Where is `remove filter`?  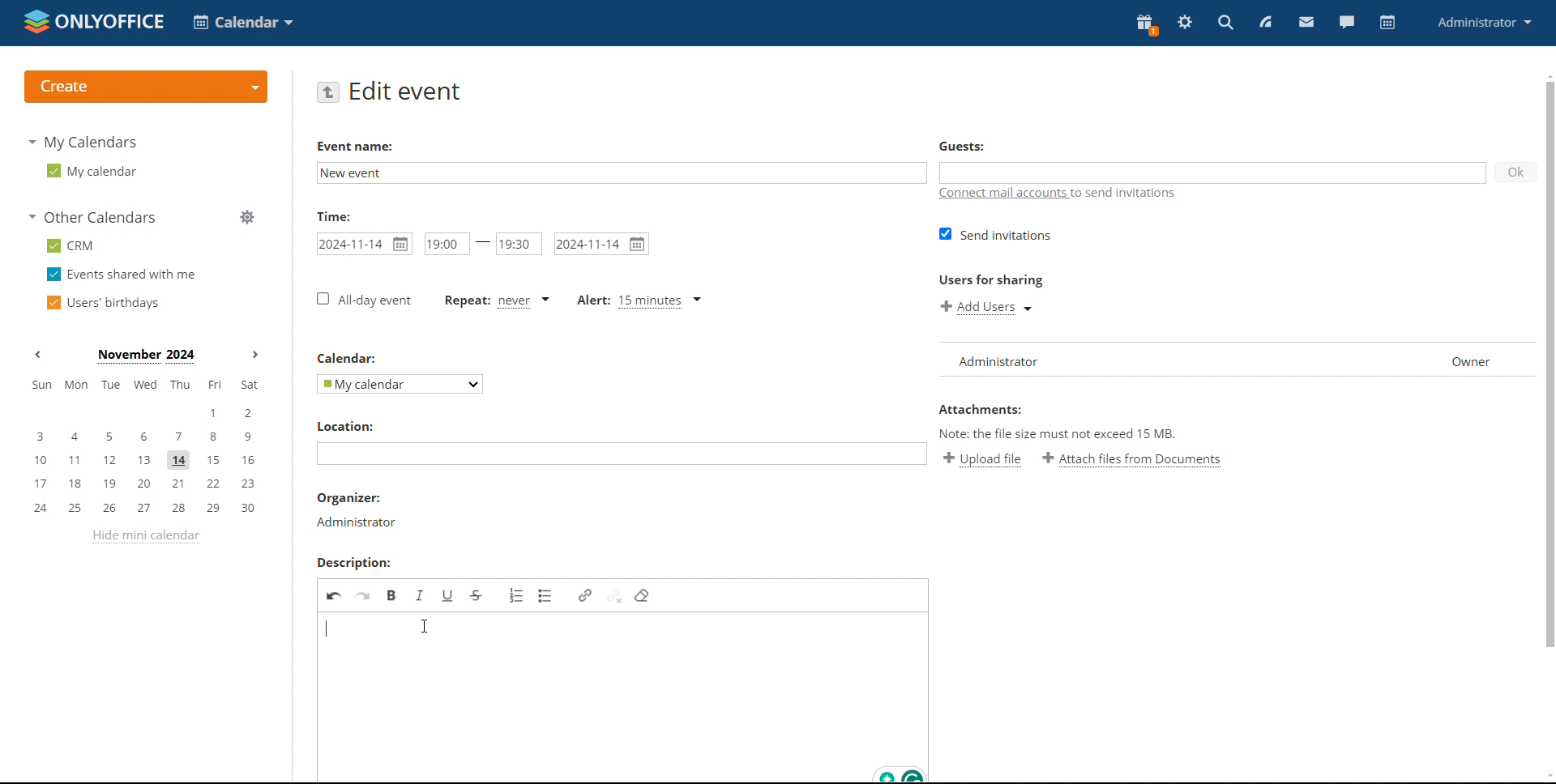 remove filter is located at coordinates (644, 596).